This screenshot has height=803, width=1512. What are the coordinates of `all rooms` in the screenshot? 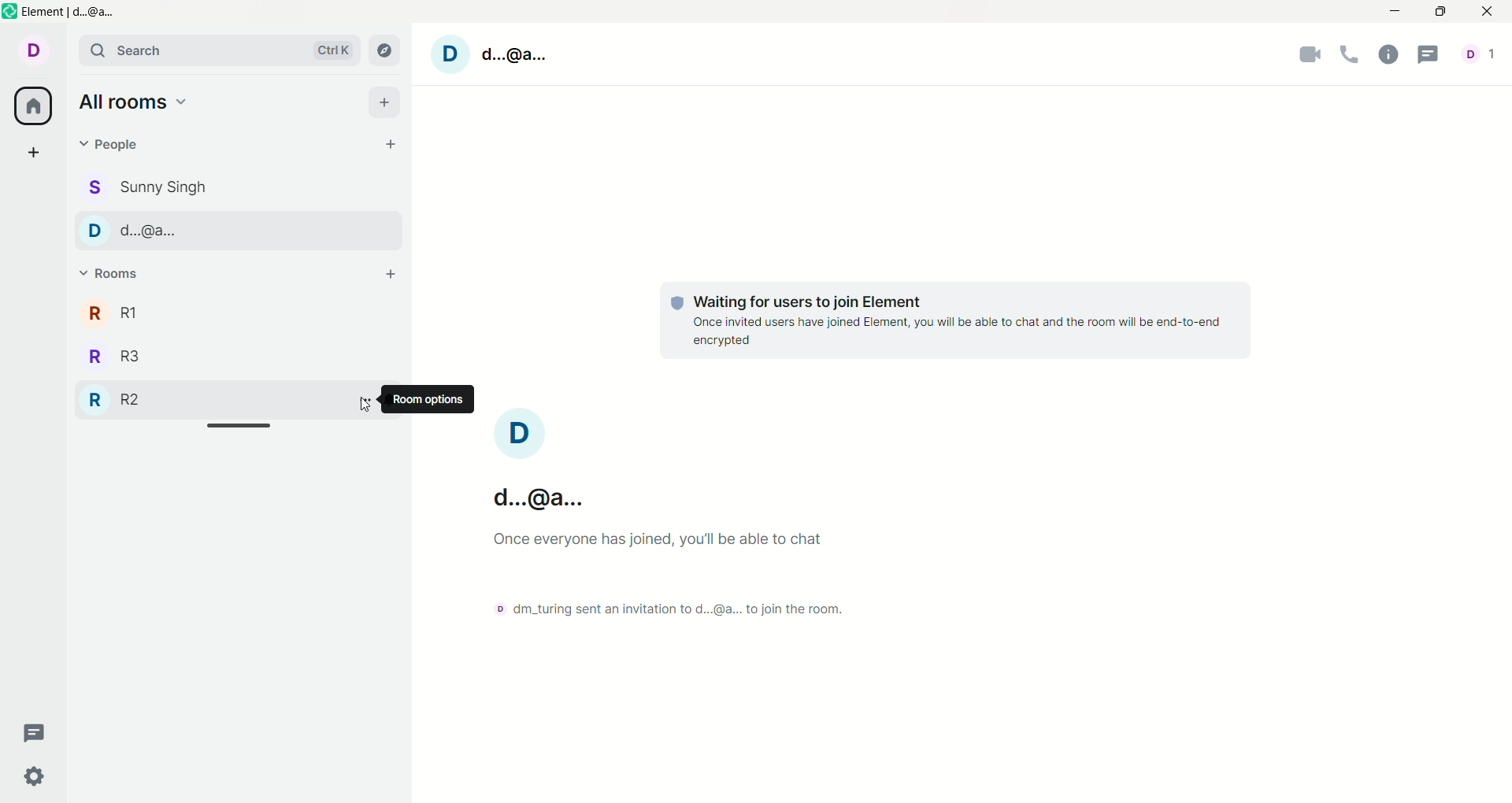 It's located at (32, 107).